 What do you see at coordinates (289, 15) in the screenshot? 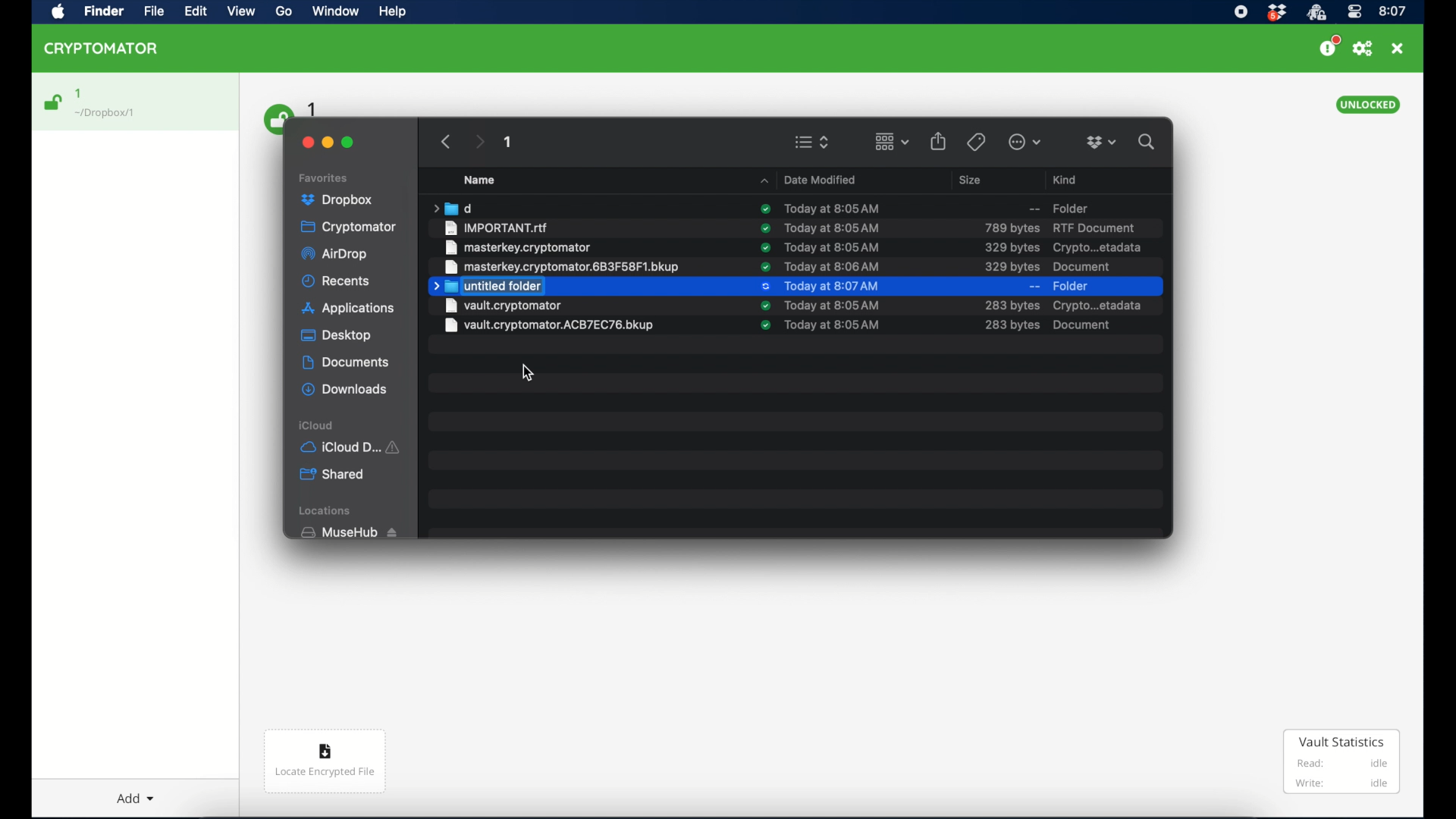
I see `Go` at bounding box center [289, 15].